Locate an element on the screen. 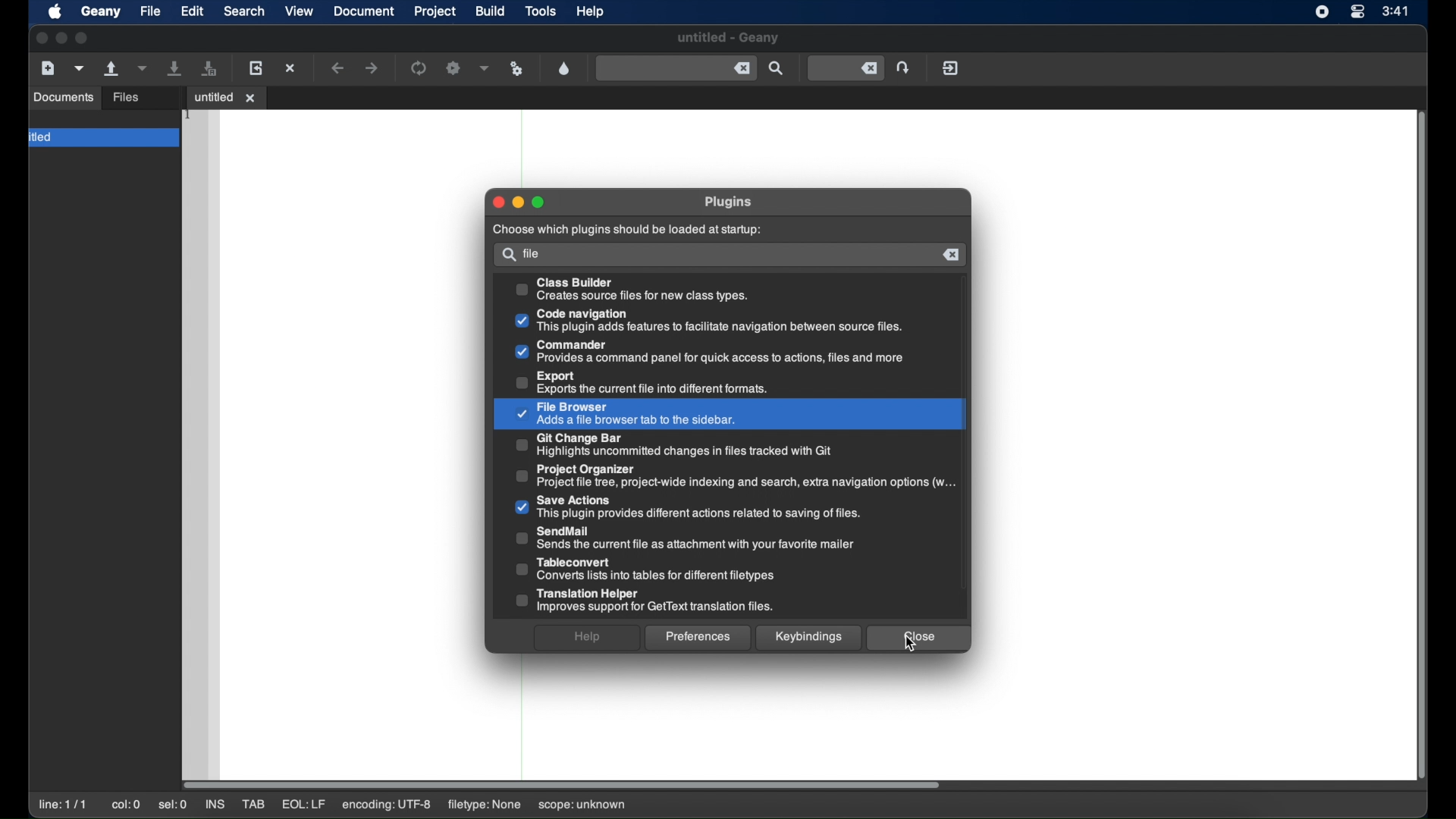 This screenshot has height=819, width=1456. sendmail is located at coordinates (687, 538).